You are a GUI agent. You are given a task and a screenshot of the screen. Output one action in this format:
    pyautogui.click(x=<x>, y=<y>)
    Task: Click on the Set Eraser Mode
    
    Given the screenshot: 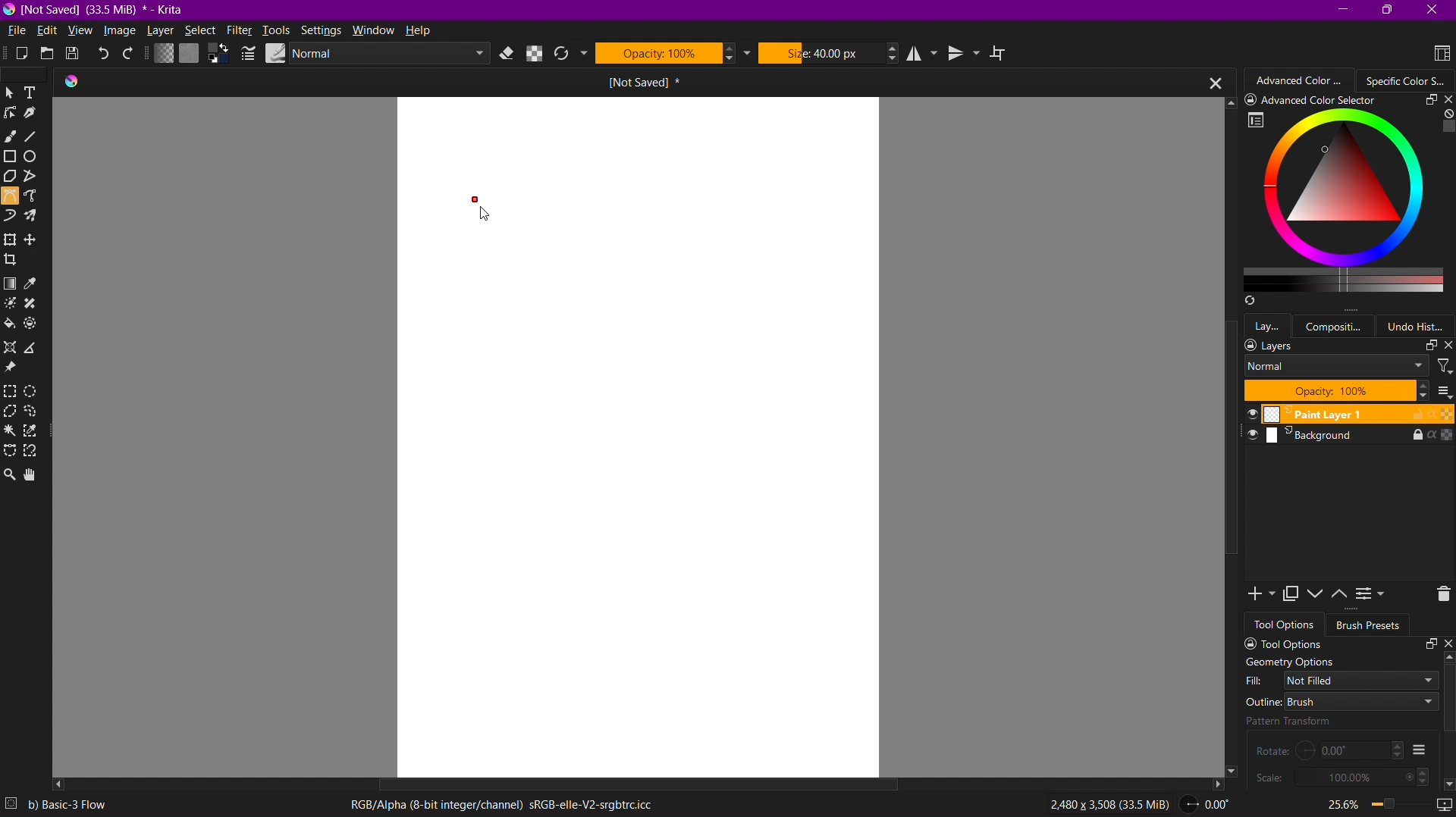 What is the action you would take?
    pyautogui.click(x=508, y=54)
    